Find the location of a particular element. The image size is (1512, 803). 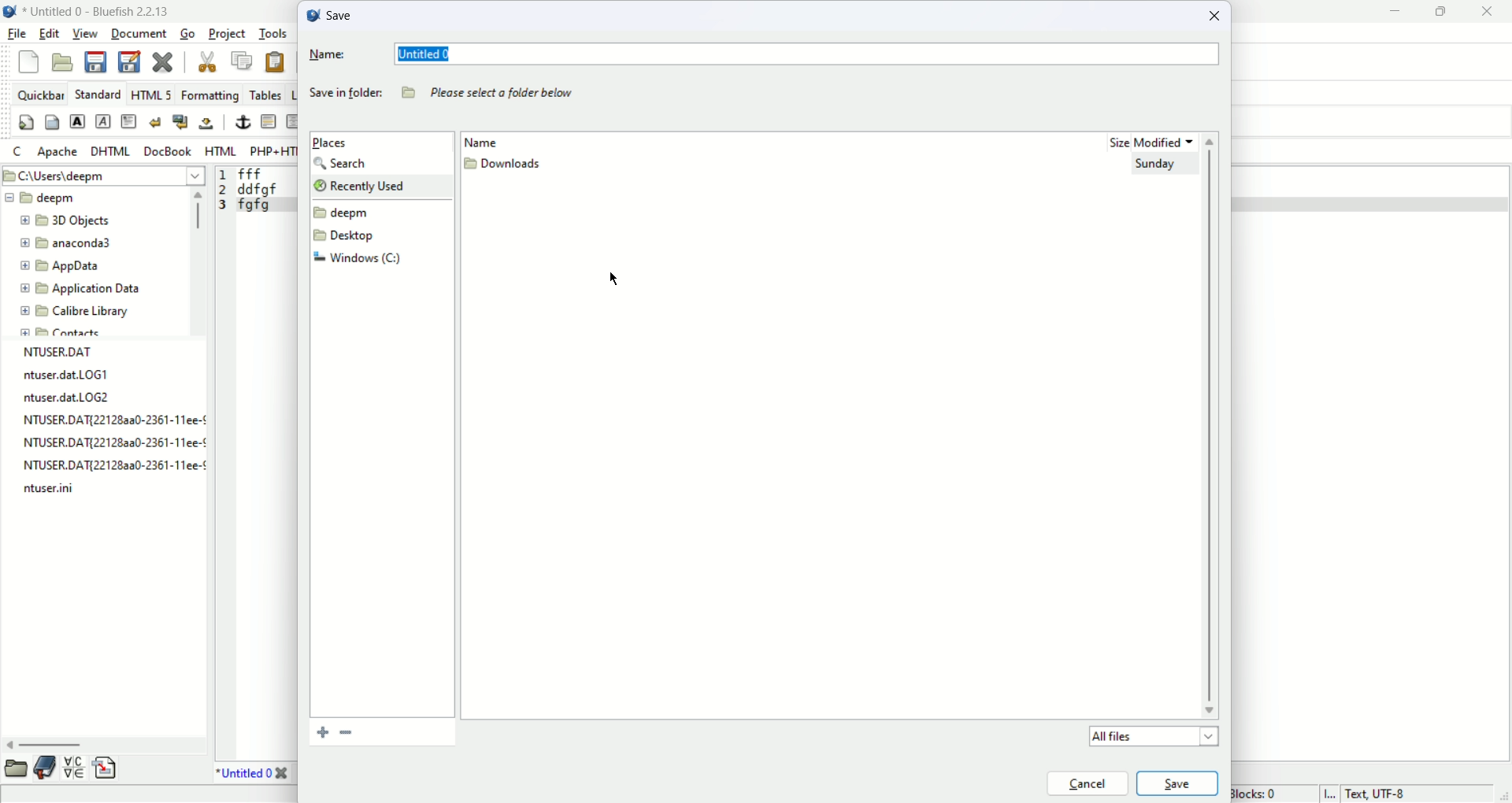

document is located at coordinates (139, 34).